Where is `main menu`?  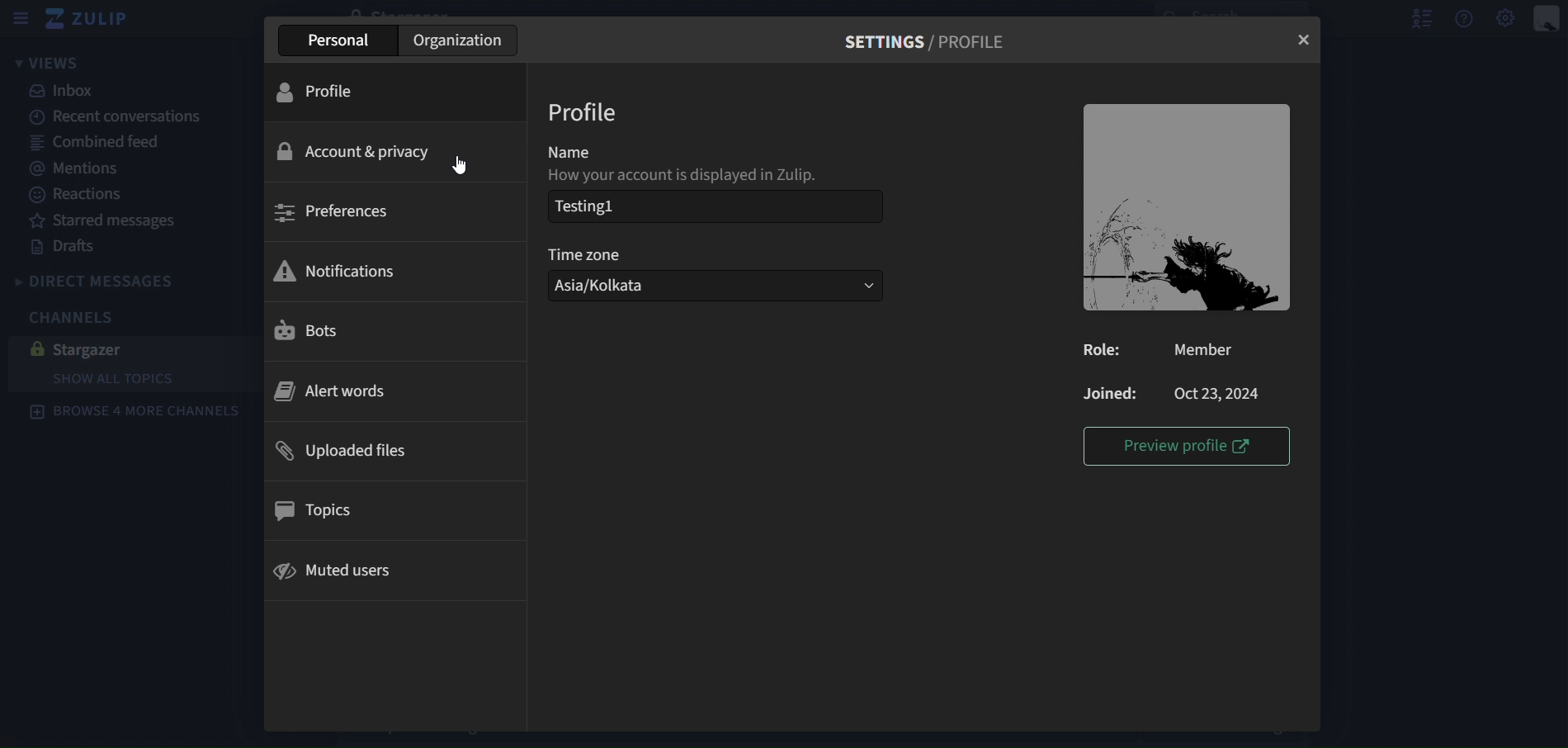
main menu is located at coordinates (1506, 17).